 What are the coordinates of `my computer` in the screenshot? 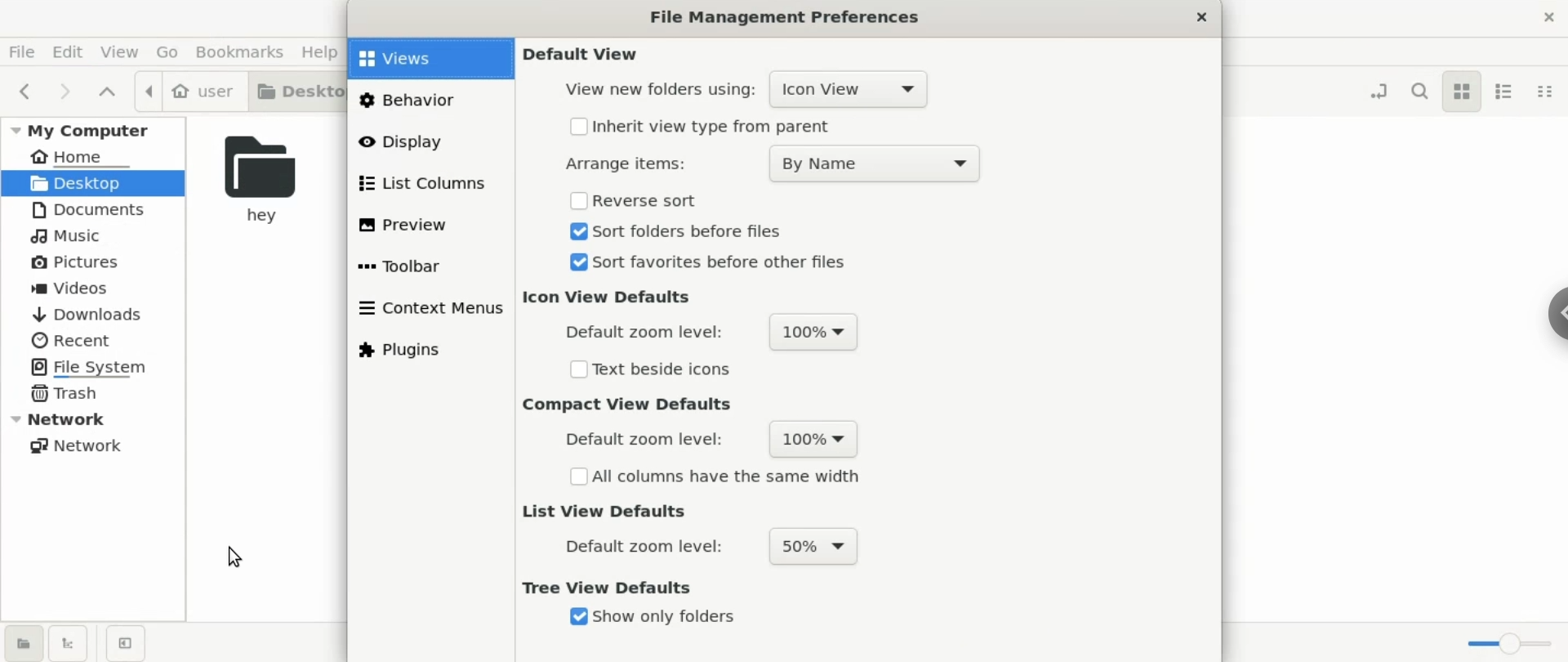 It's located at (89, 127).